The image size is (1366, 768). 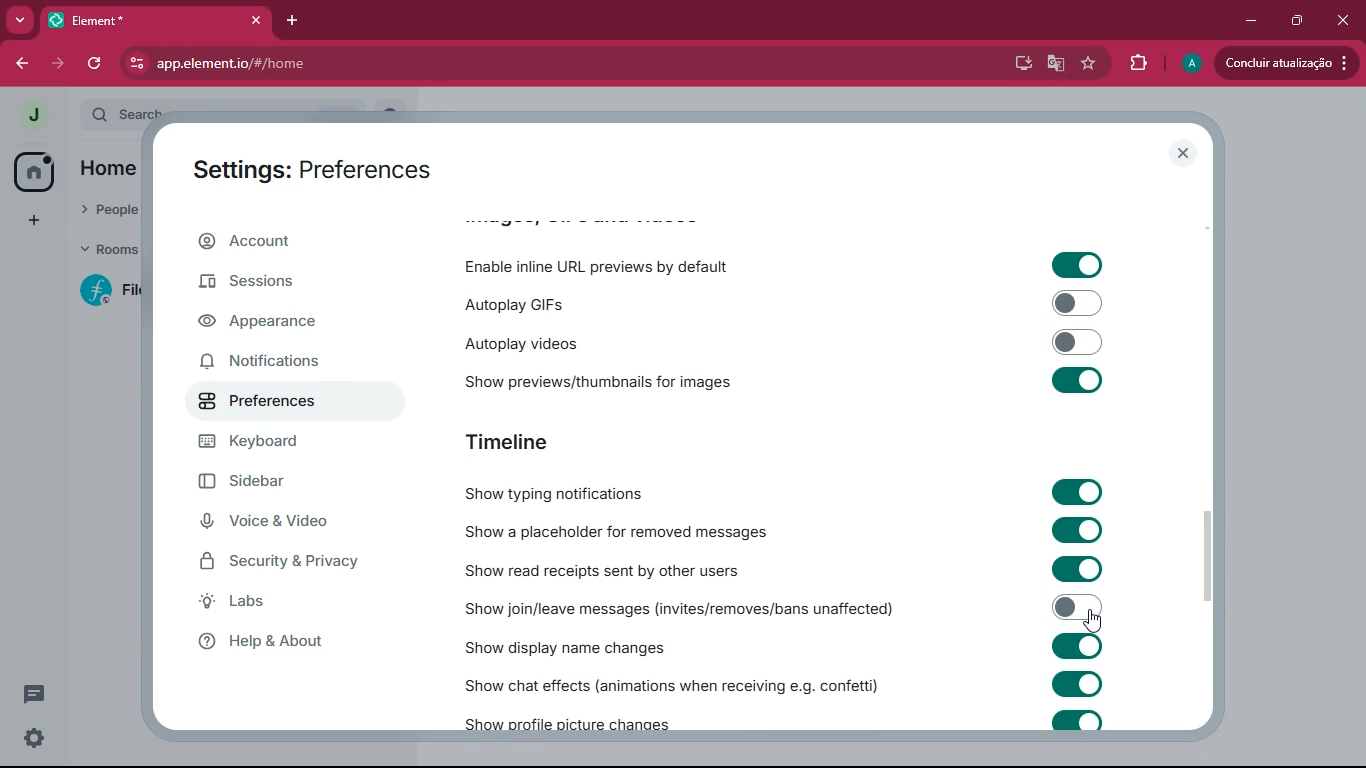 What do you see at coordinates (99, 20) in the screenshot?
I see `tab` at bounding box center [99, 20].